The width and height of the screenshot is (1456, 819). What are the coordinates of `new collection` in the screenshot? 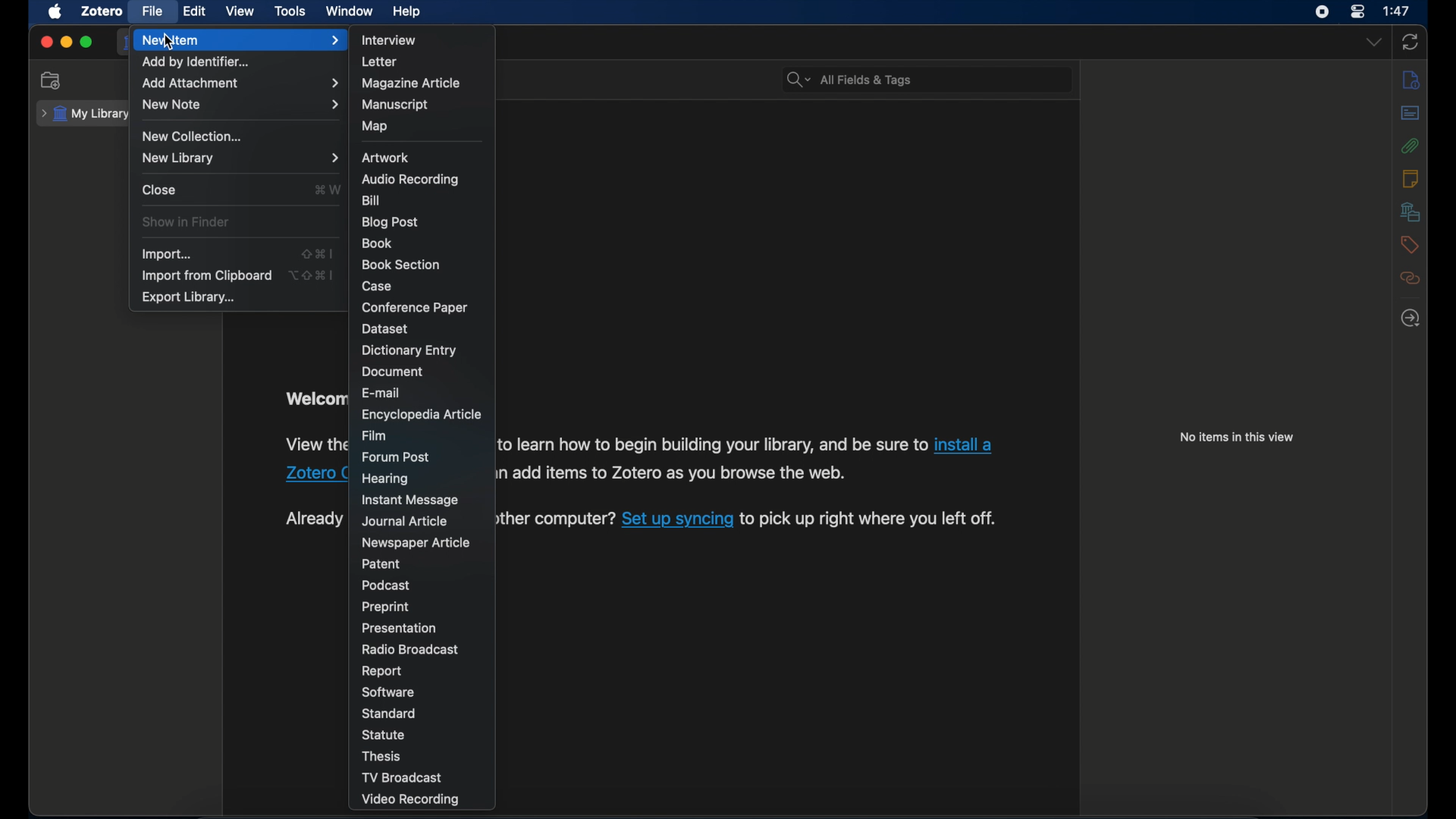 It's located at (52, 80).